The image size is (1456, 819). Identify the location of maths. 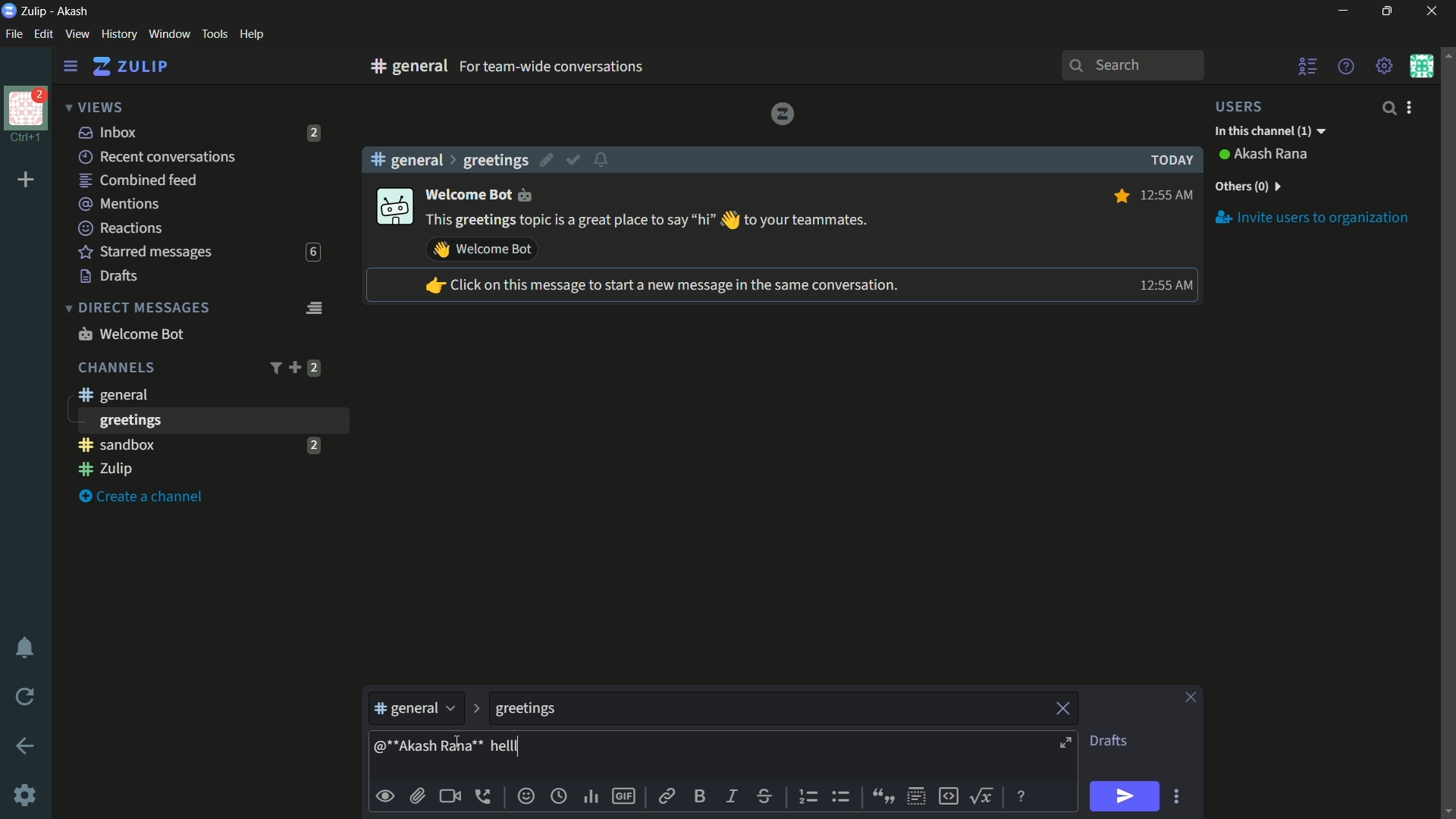
(984, 795).